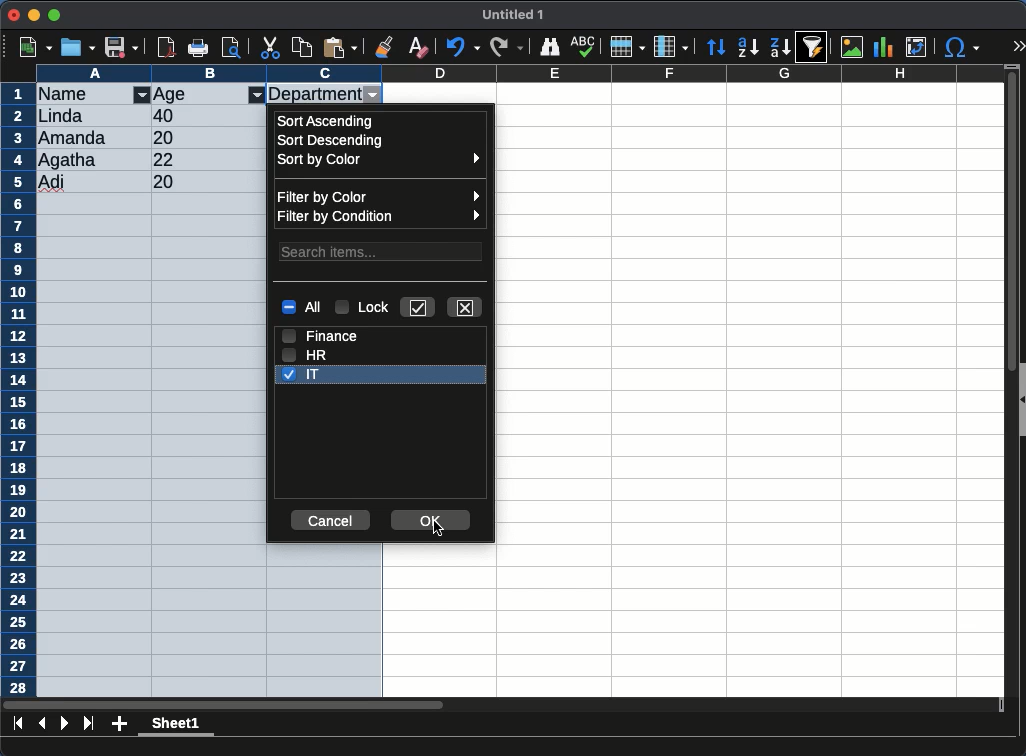 Image resolution: width=1026 pixels, height=756 pixels. What do you see at coordinates (173, 95) in the screenshot?
I see `age` at bounding box center [173, 95].